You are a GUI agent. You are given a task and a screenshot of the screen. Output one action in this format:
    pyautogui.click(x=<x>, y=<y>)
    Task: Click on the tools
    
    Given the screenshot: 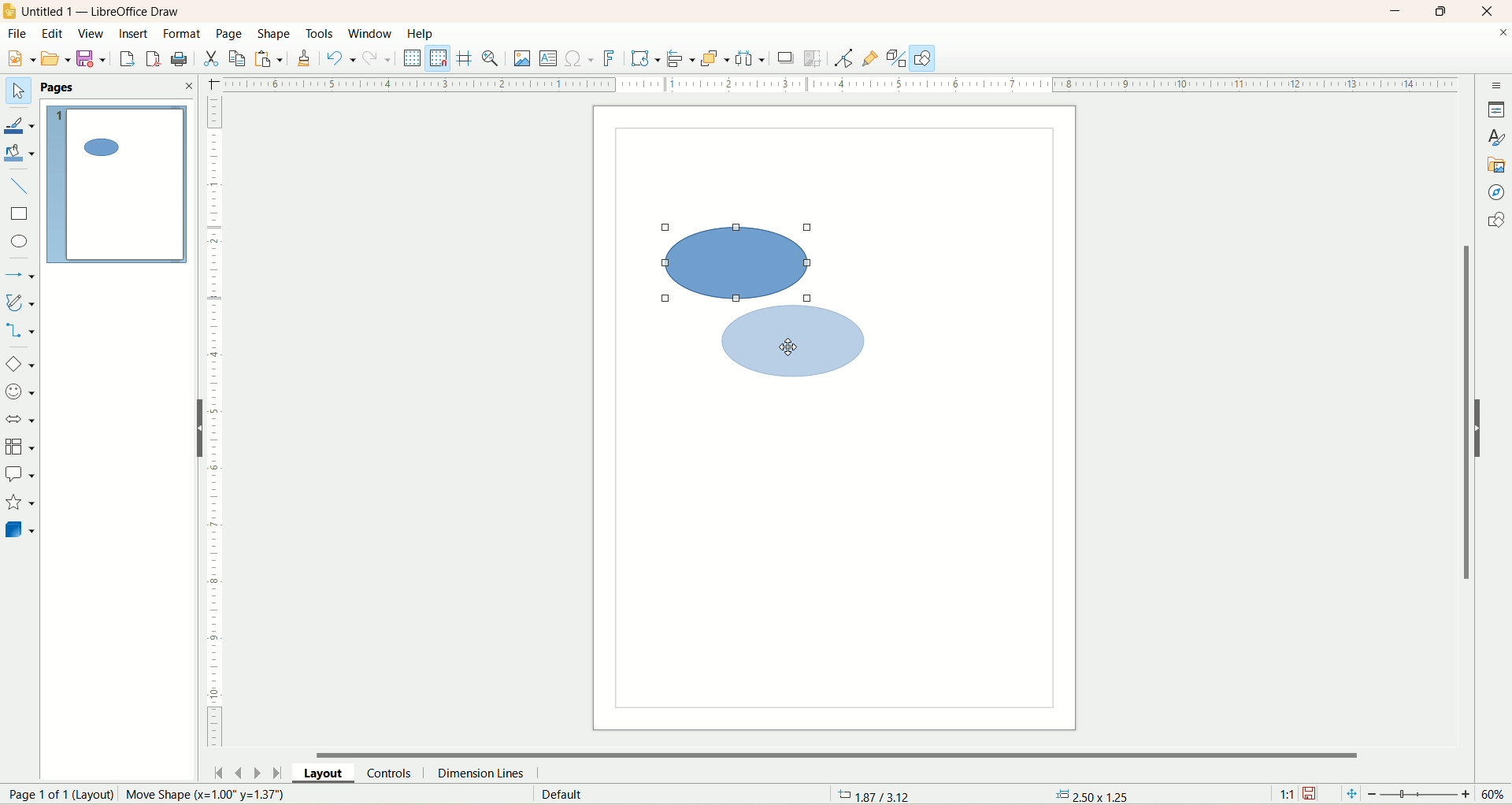 What is the action you would take?
    pyautogui.click(x=320, y=35)
    